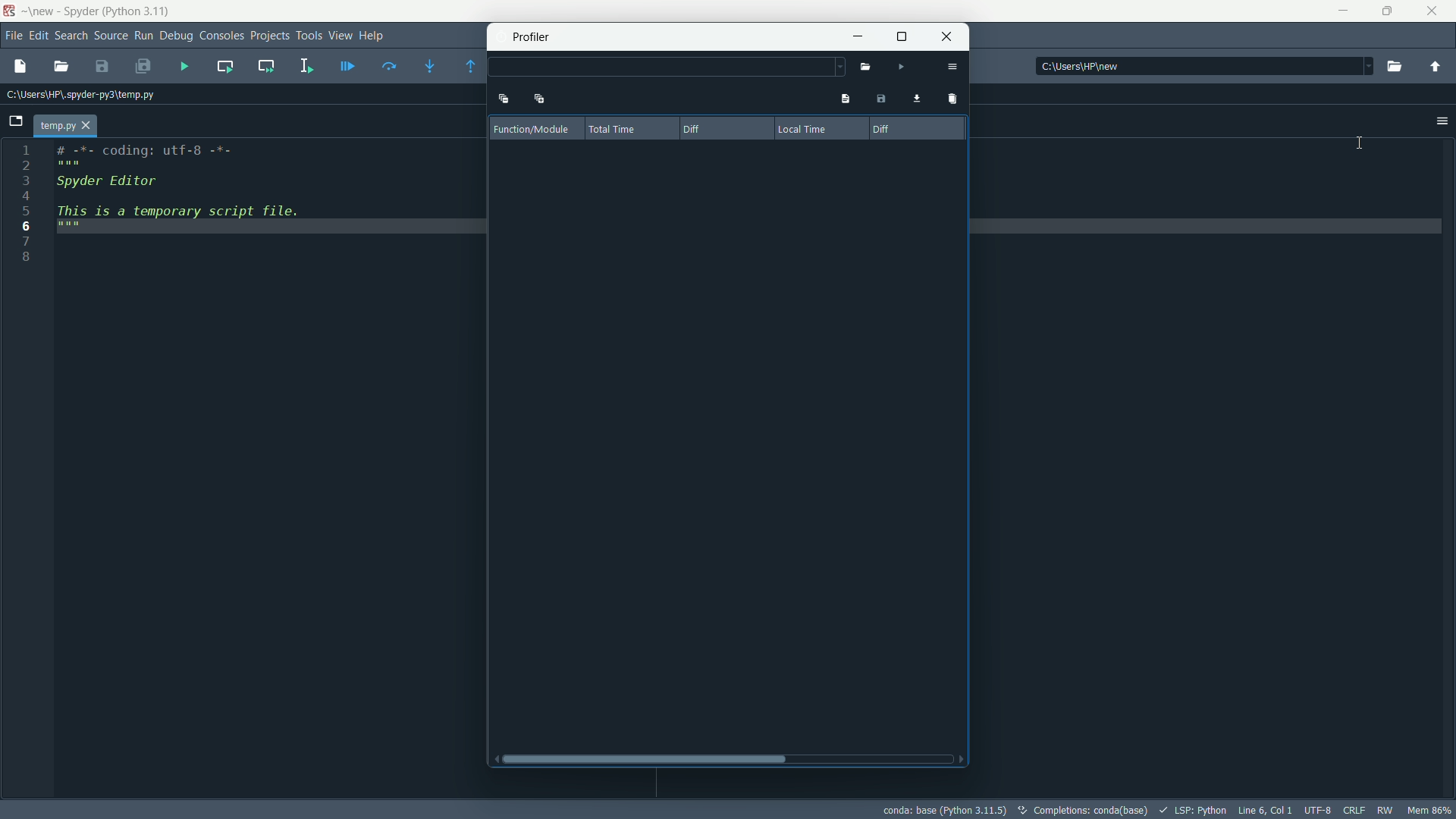 The width and height of the screenshot is (1456, 819). I want to click on #-*- coding: utf-8 -*-, so click(143, 156).